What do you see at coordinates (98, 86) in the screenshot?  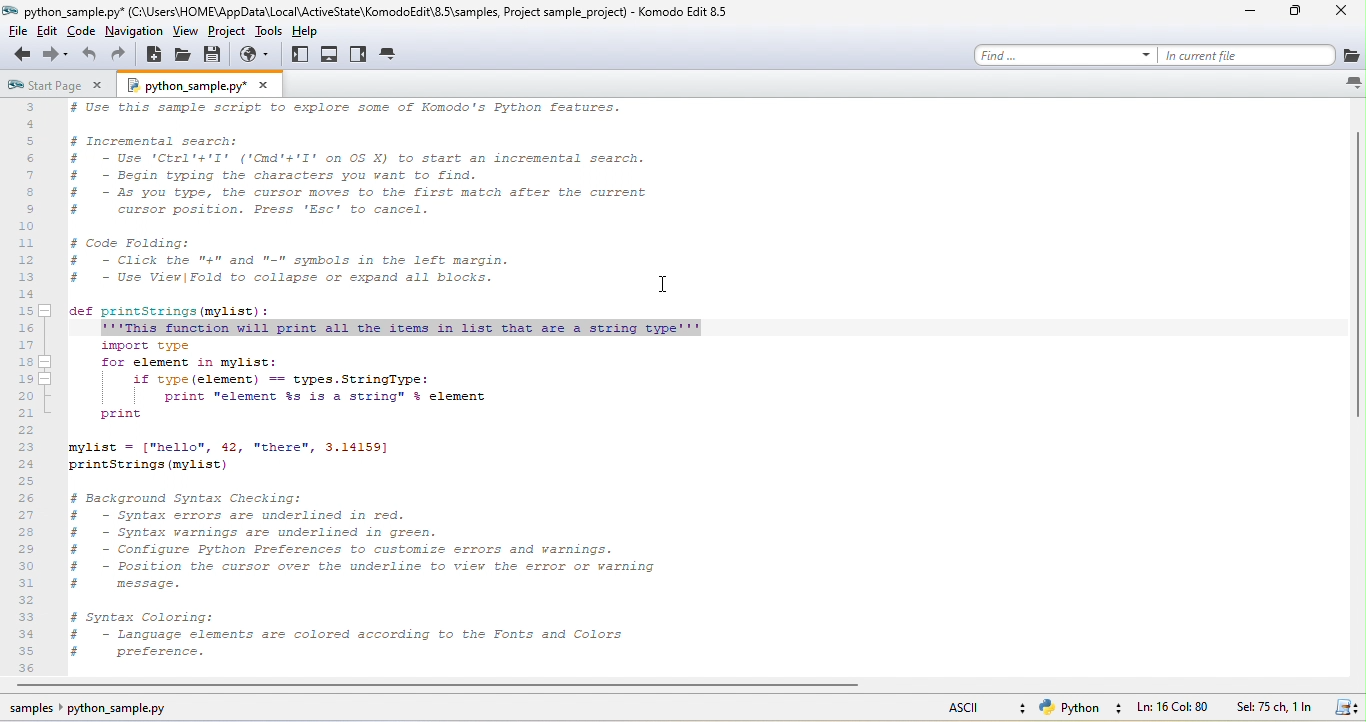 I see `close` at bounding box center [98, 86].